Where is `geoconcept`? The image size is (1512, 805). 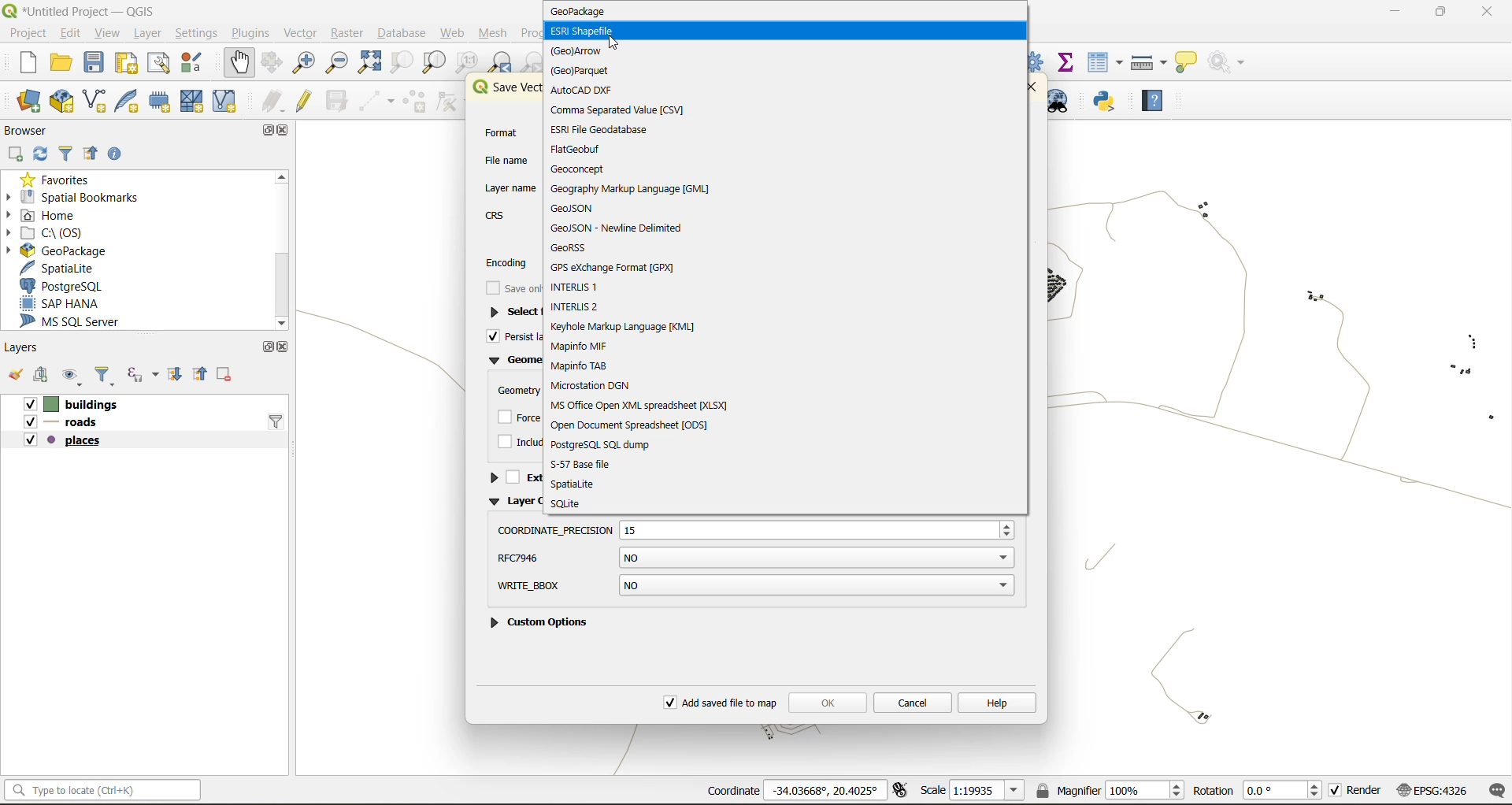 geoconcept is located at coordinates (580, 169).